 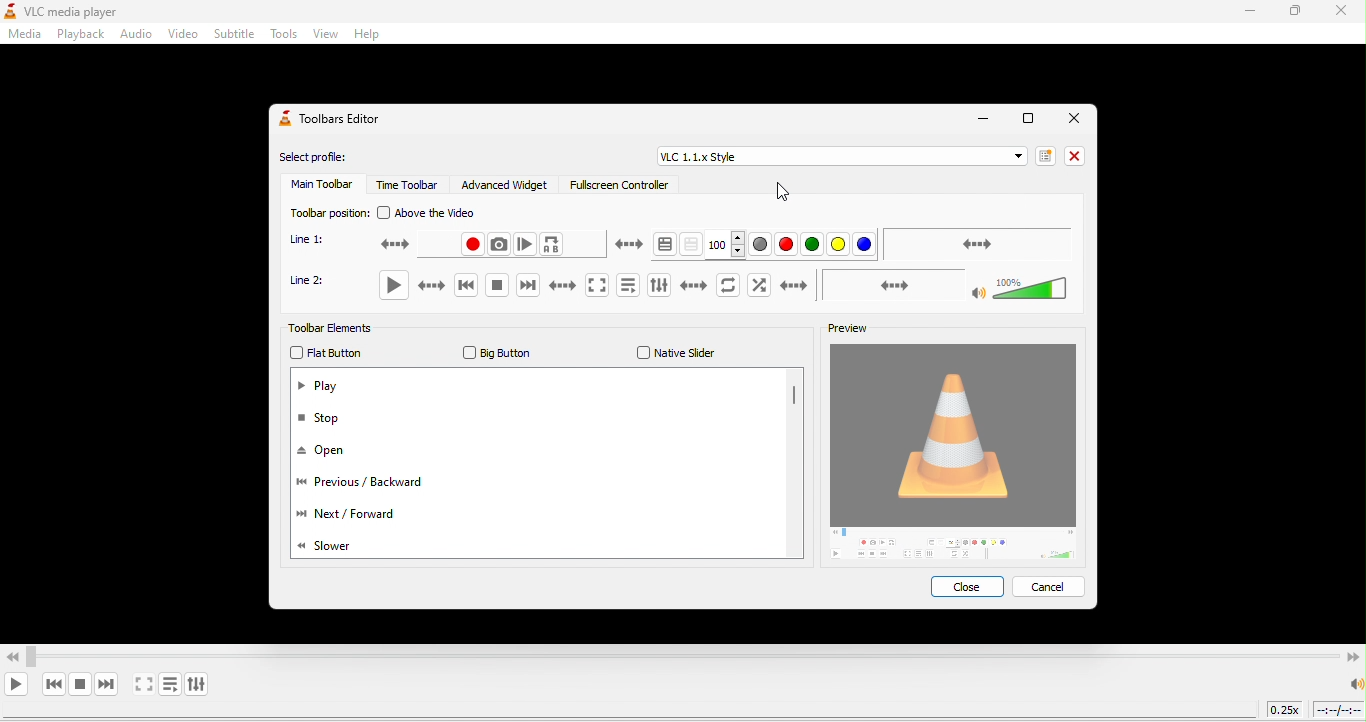 What do you see at coordinates (336, 545) in the screenshot?
I see `slower` at bounding box center [336, 545].